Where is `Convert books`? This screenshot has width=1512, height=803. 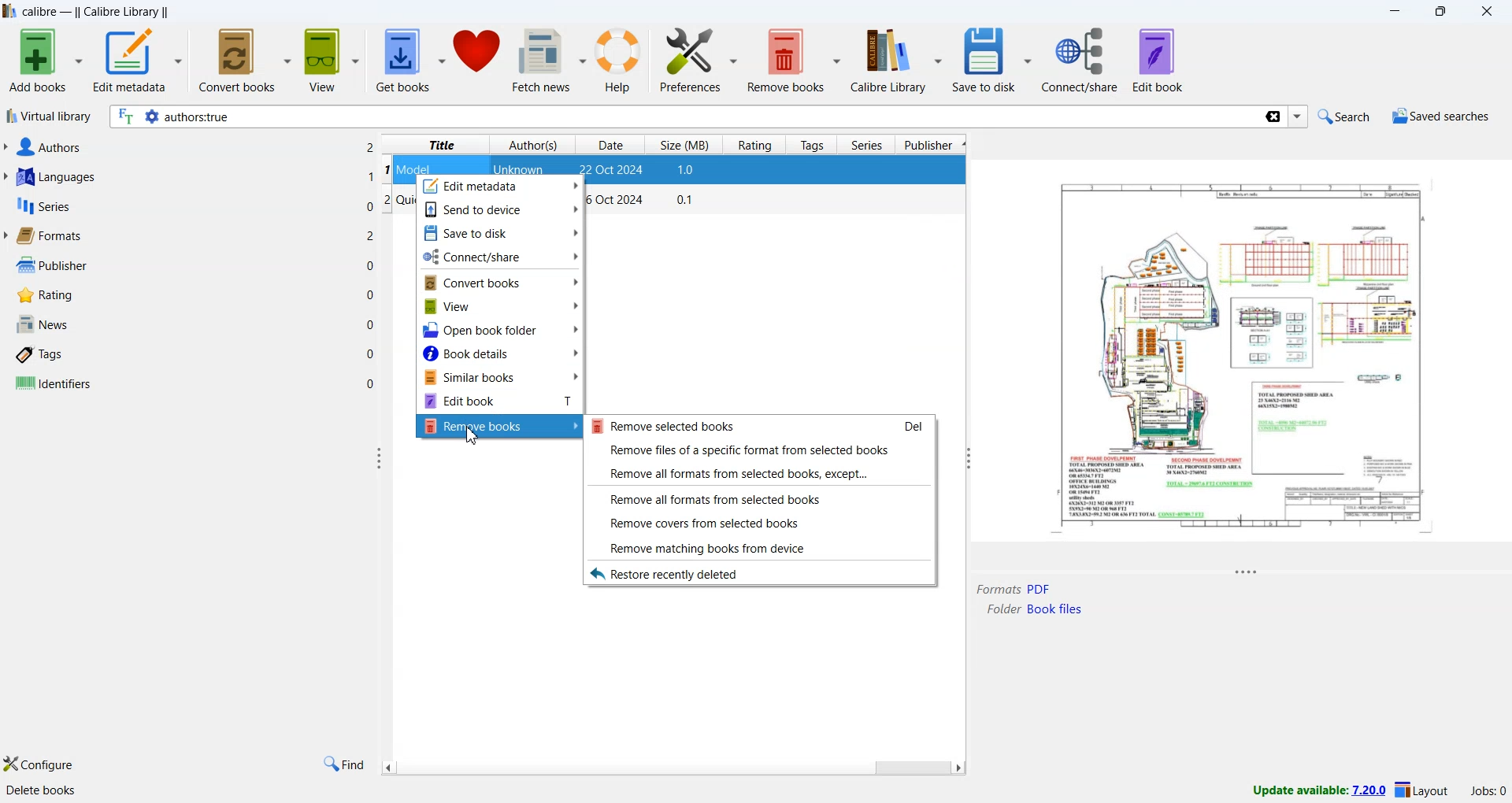
Convert books is located at coordinates (502, 282).